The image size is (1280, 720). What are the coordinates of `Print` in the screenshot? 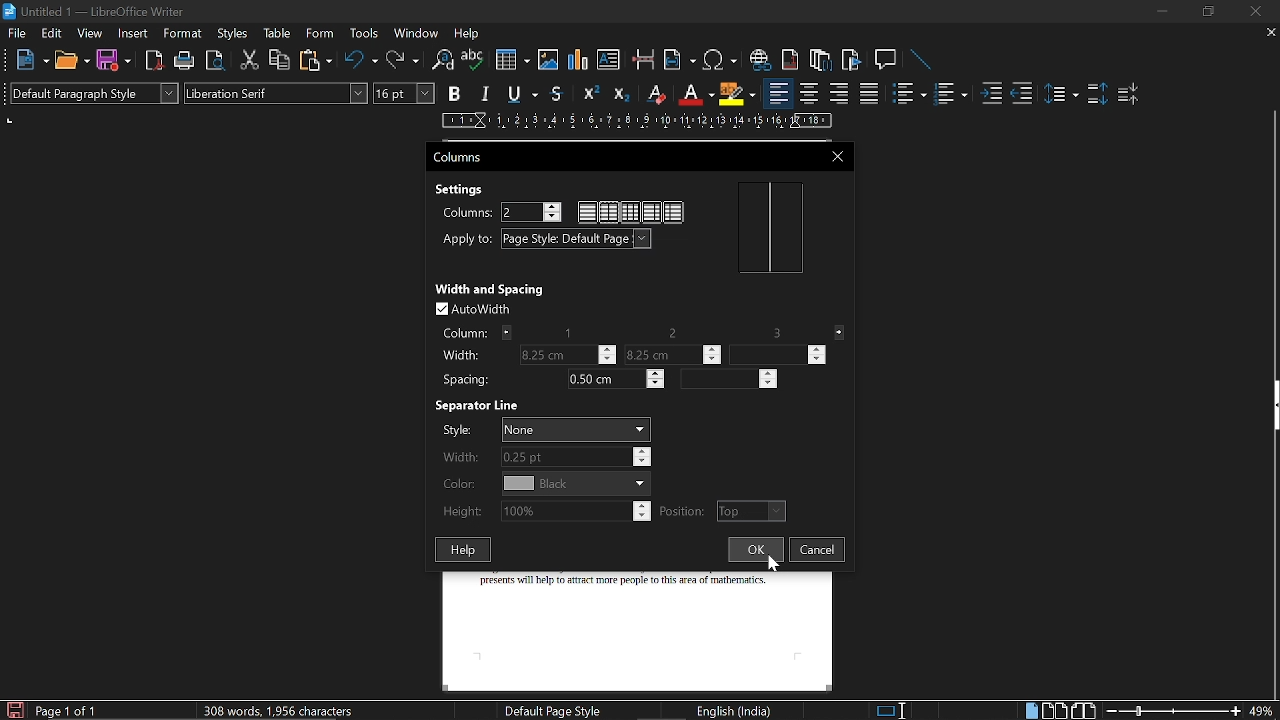 It's located at (186, 62).